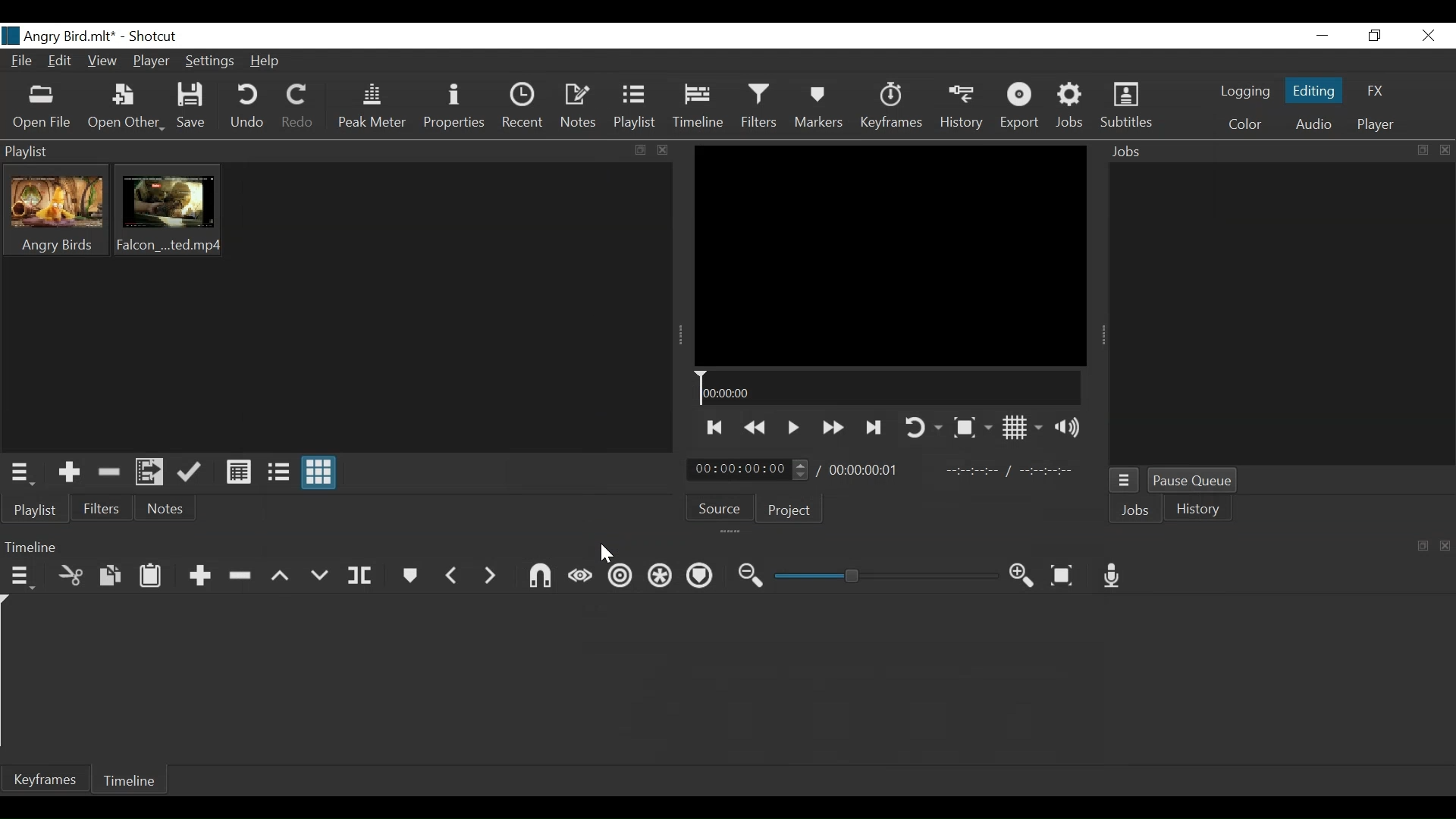 Image resolution: width=1456 pixels, height=819 pixels. I want to click on Total Duration, so click(870, 469).